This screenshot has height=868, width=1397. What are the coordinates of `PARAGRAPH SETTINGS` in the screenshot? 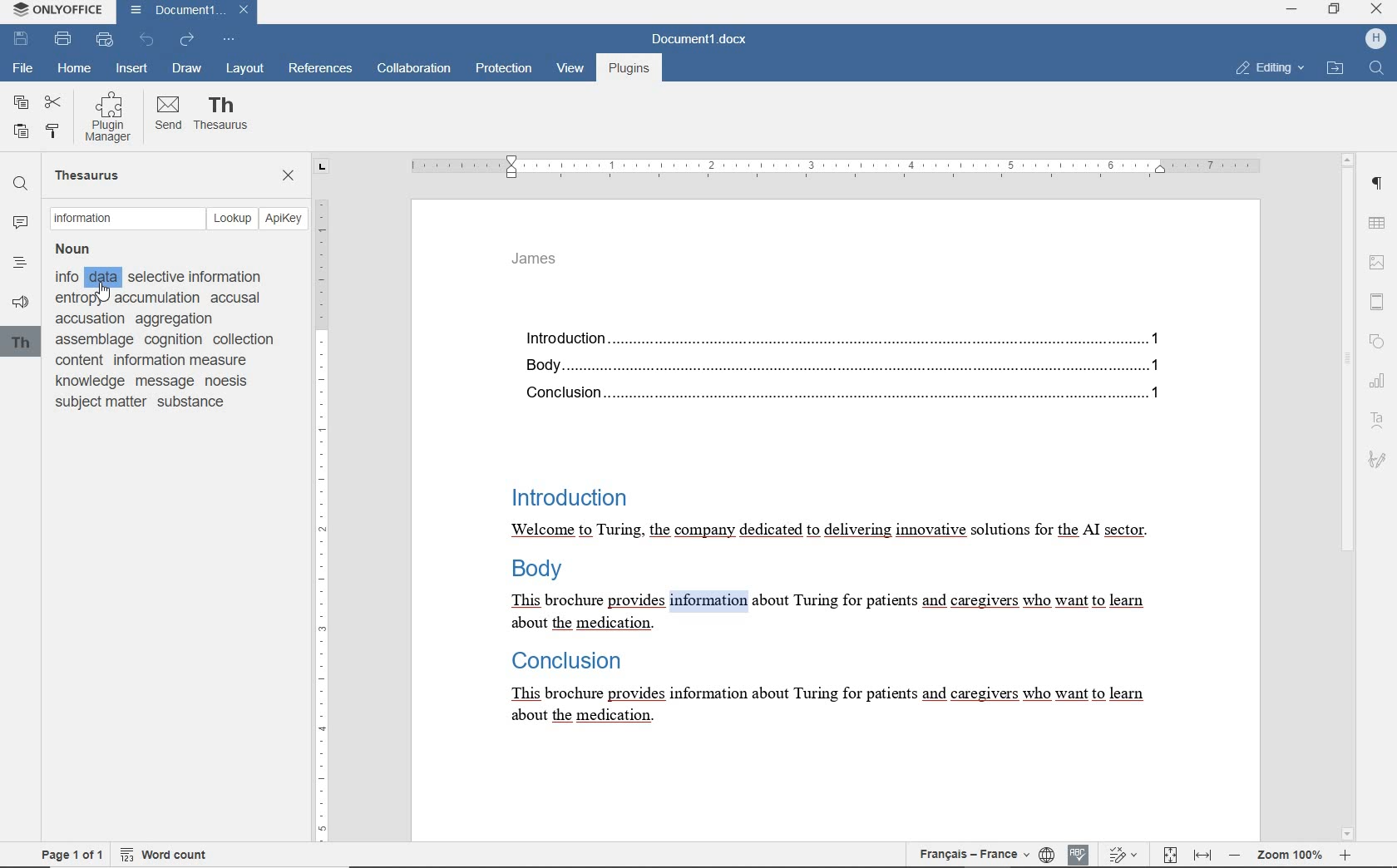 It's located at (1379, 182).